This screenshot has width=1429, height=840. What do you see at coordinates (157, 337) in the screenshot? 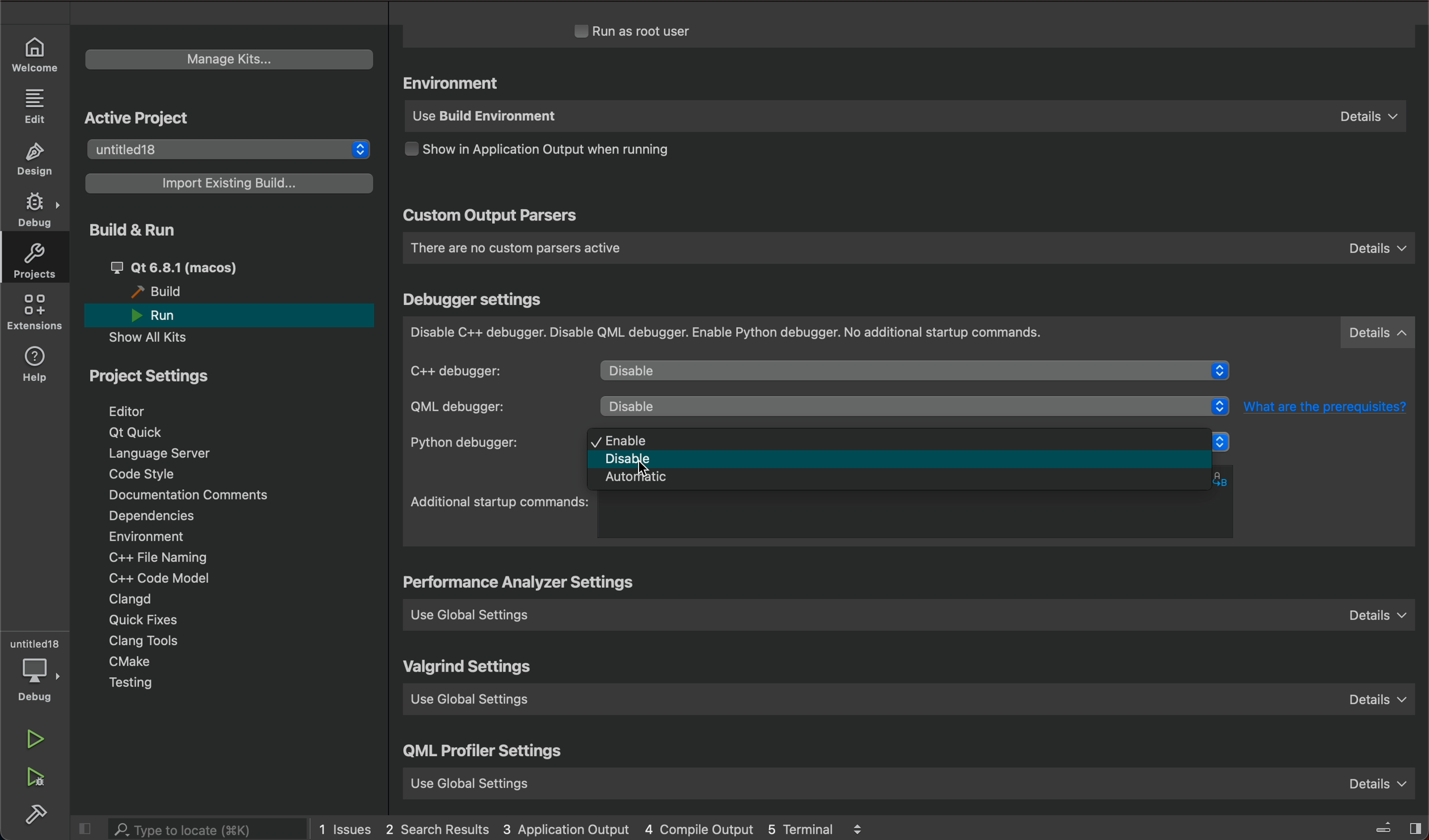
I see `show all` at bounding box center [157, 337].